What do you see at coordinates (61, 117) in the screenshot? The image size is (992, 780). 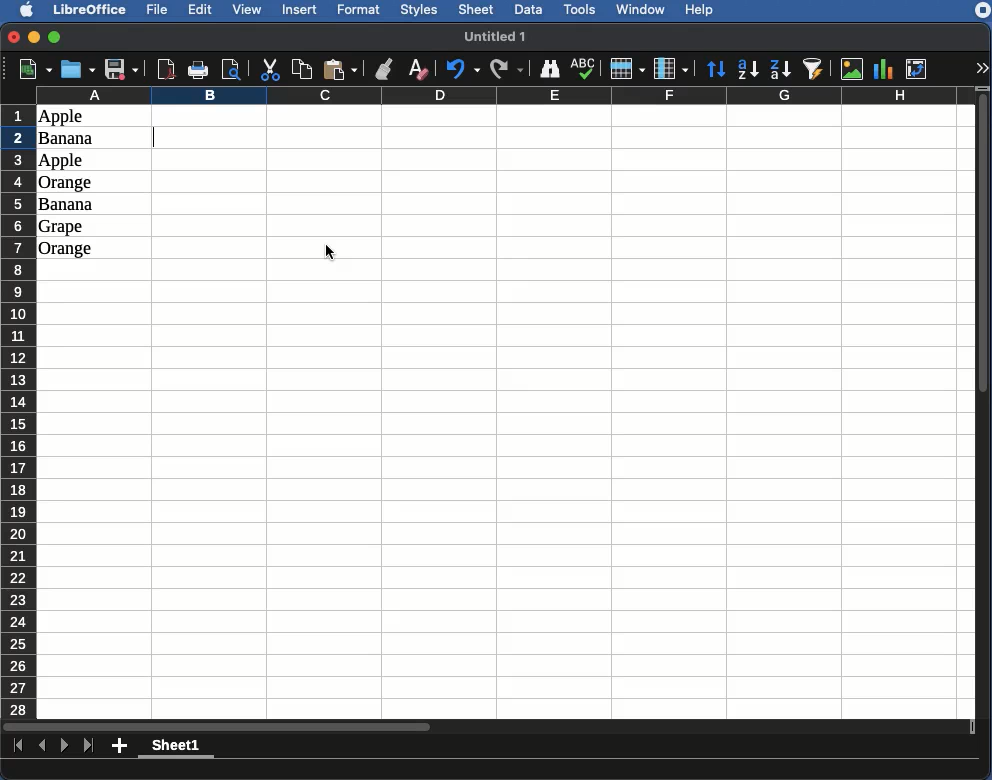 I see `Apple` at bounding box center [61, 117].